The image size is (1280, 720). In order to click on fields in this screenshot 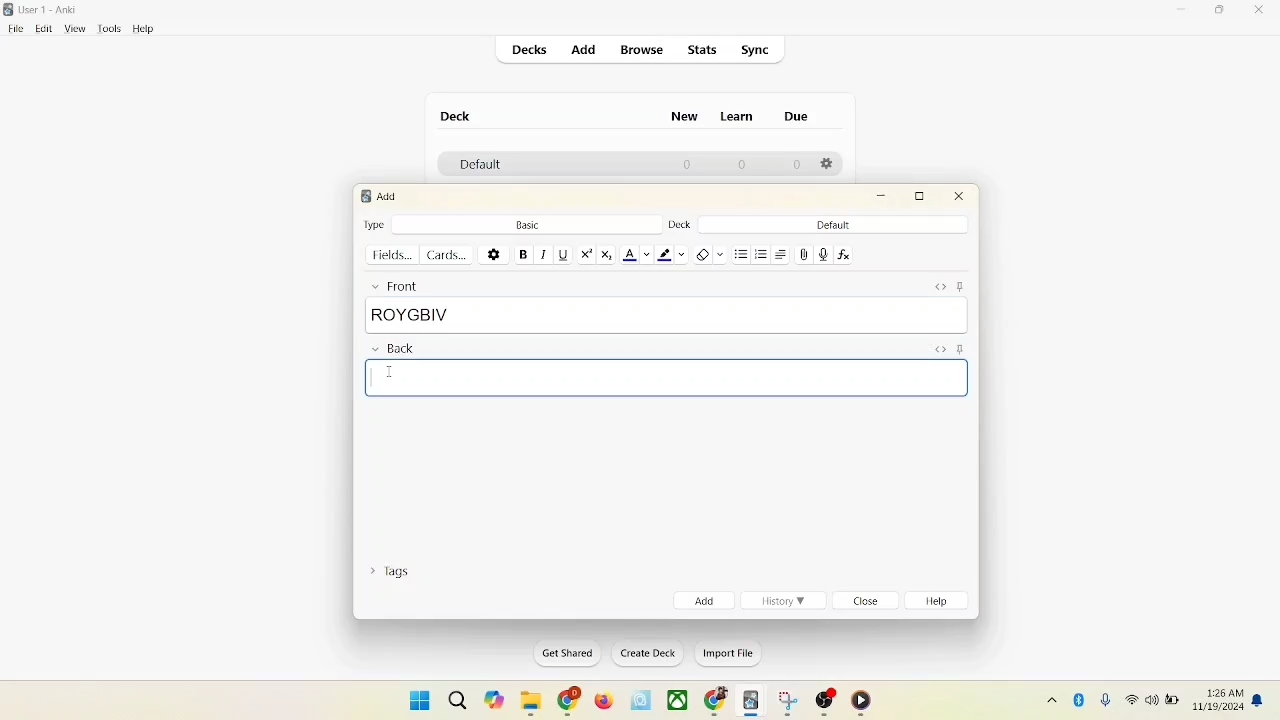, I will do `click(394, 255)`.